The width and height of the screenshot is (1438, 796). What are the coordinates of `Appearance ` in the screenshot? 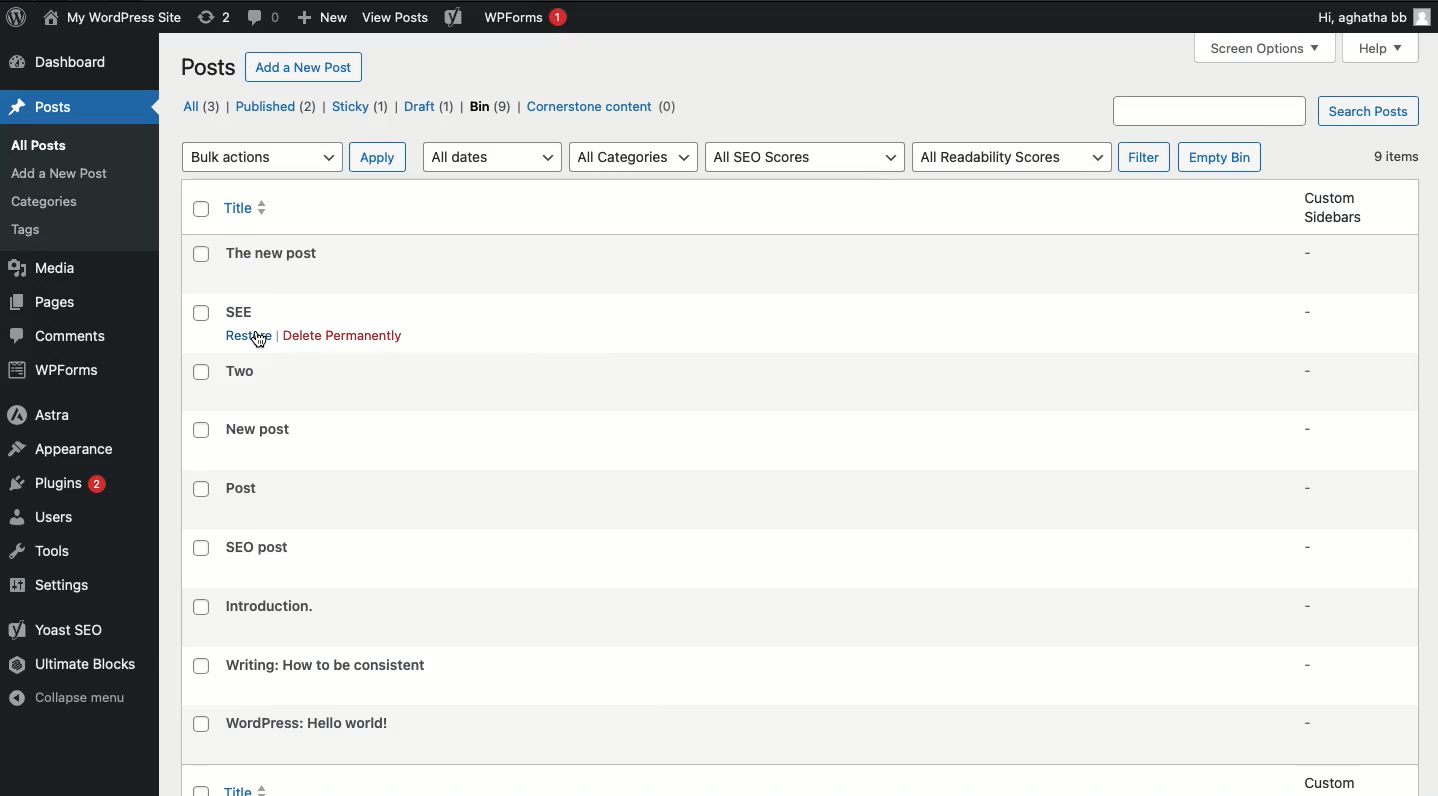 It's located at (62, 451).